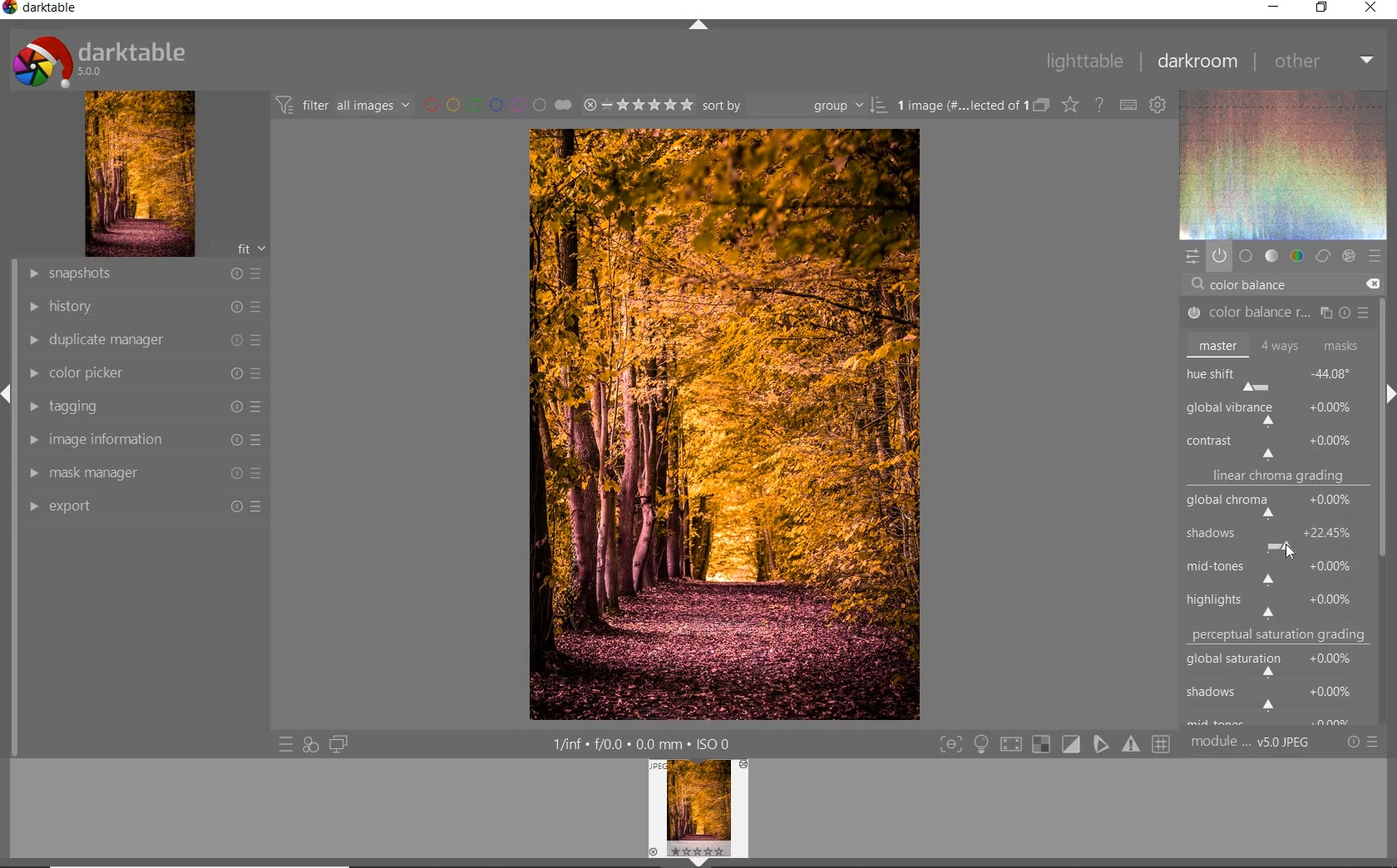 The height and width of the screenshot is (868, 1397). What do you see at coordinates (1277, 479) in the screenshot?
I see `linear chroma grading` at bounding box center [1277, 479].